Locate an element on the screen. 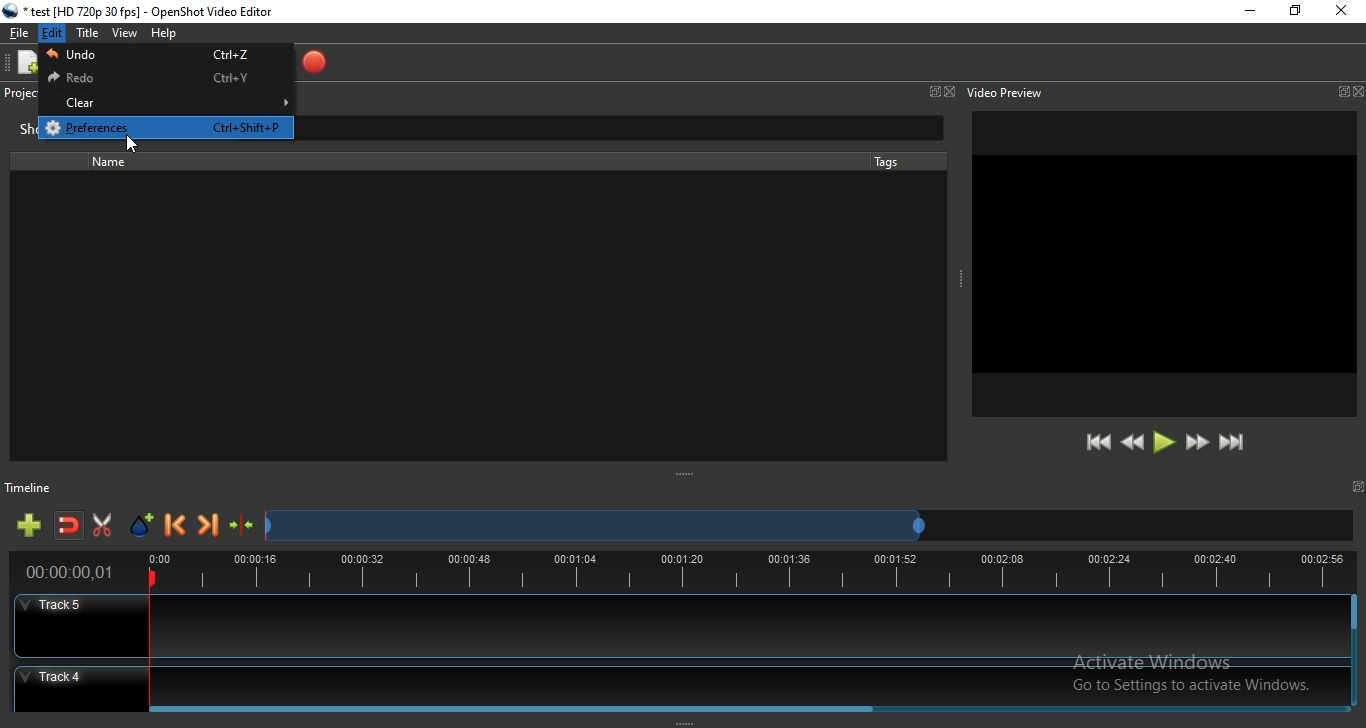 This screenshot has height=728, width=1366. Video preview is located at coordinates (1005, 92).